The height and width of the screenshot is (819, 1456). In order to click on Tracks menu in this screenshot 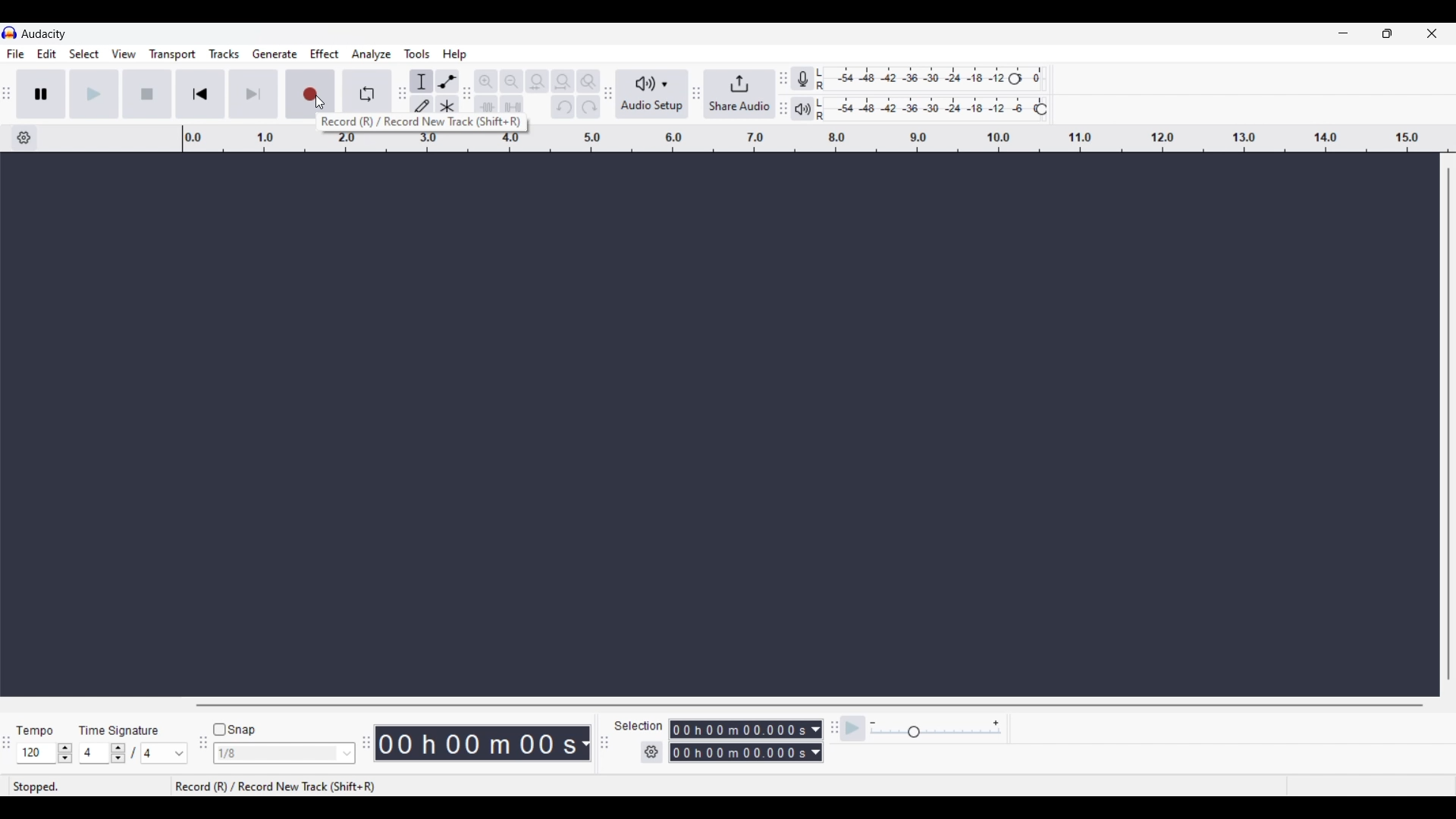, I will do `click(224, 54)`.